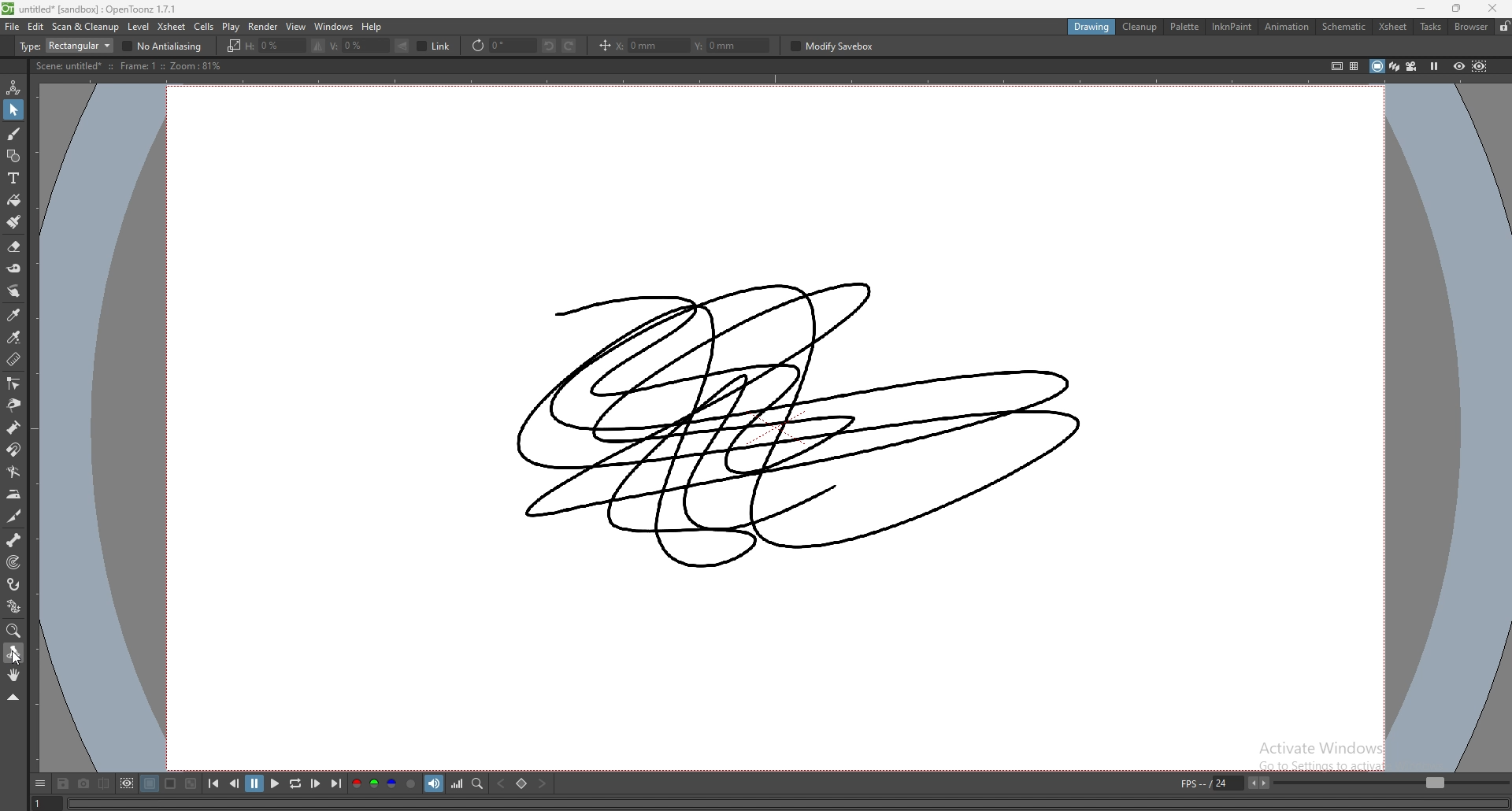  Describe the element at coordinates (13, 517) in the screenshot. I see `cutter` at that location.